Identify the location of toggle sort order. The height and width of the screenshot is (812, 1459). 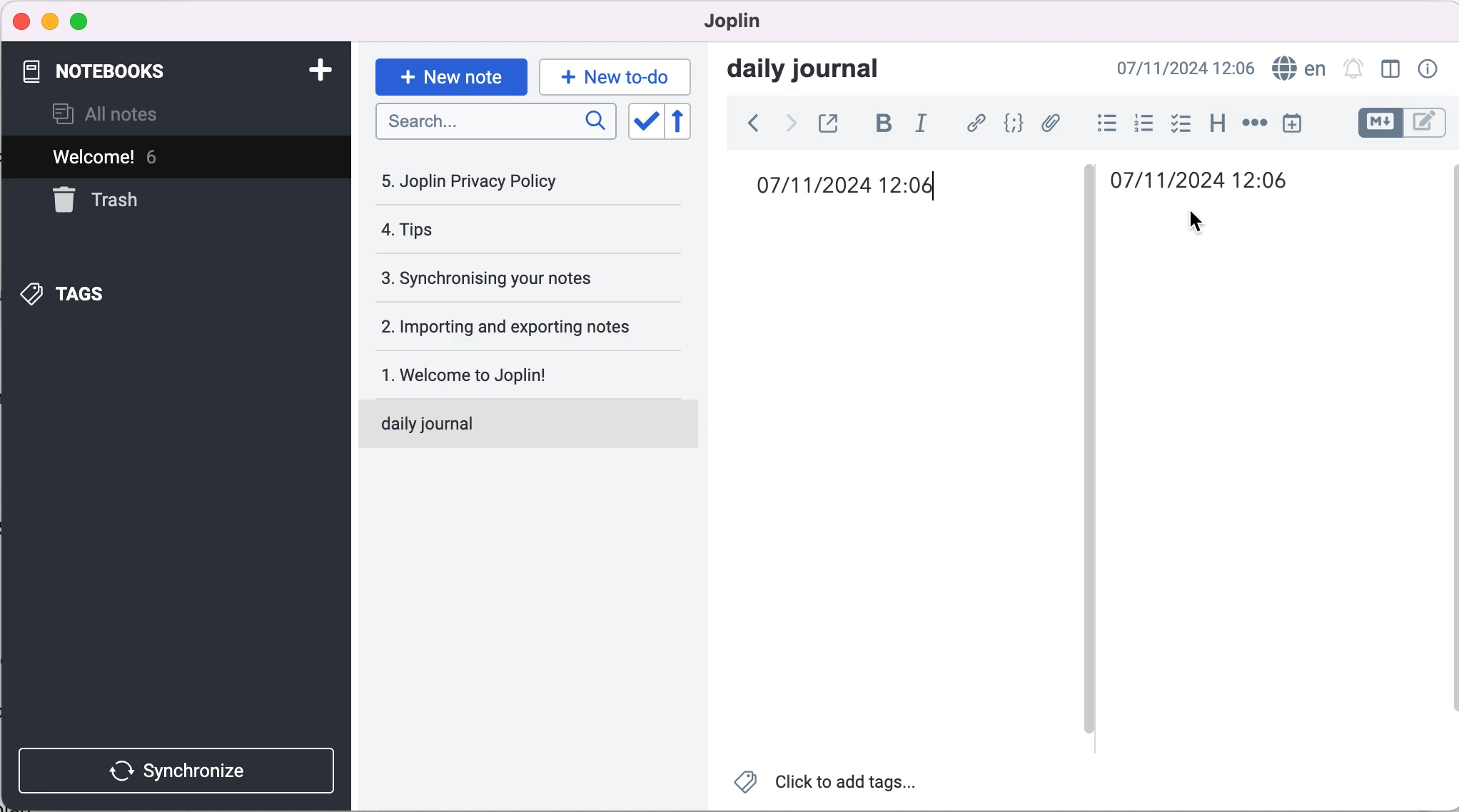
(645, 122).